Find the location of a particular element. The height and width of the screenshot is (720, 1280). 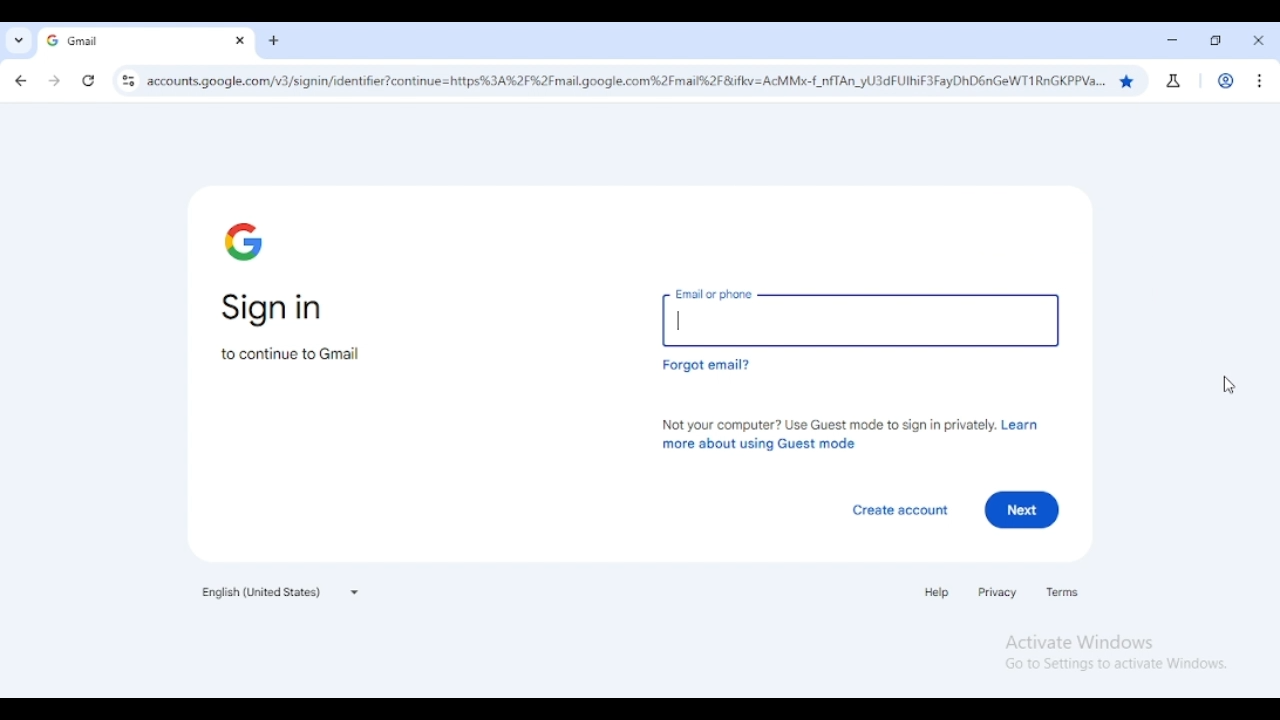

create account is located at coordinates (902, 511).